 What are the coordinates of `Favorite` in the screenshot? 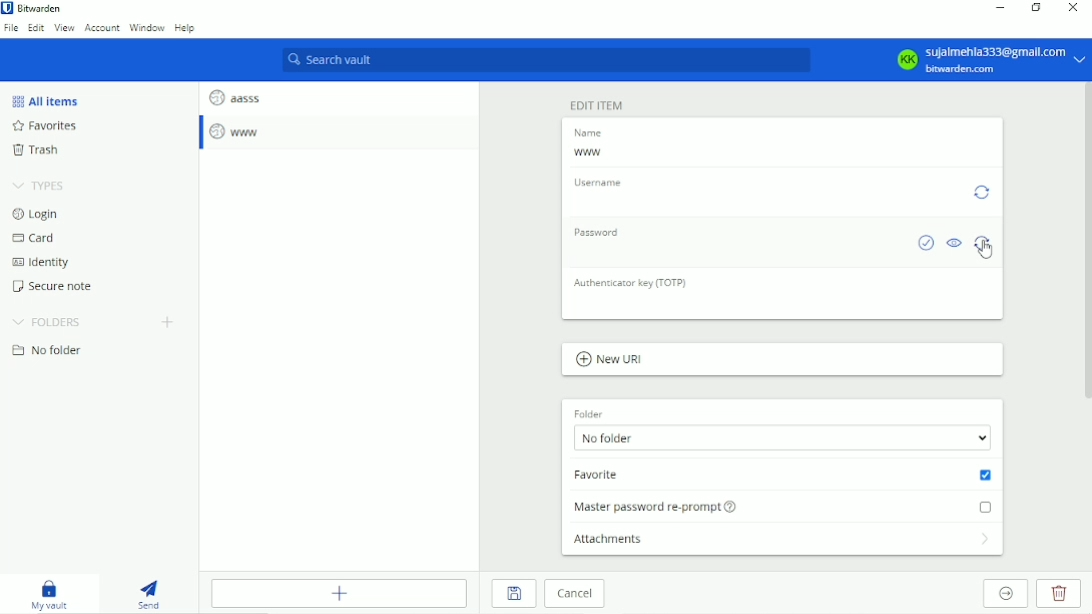 It's located at (784, 475).